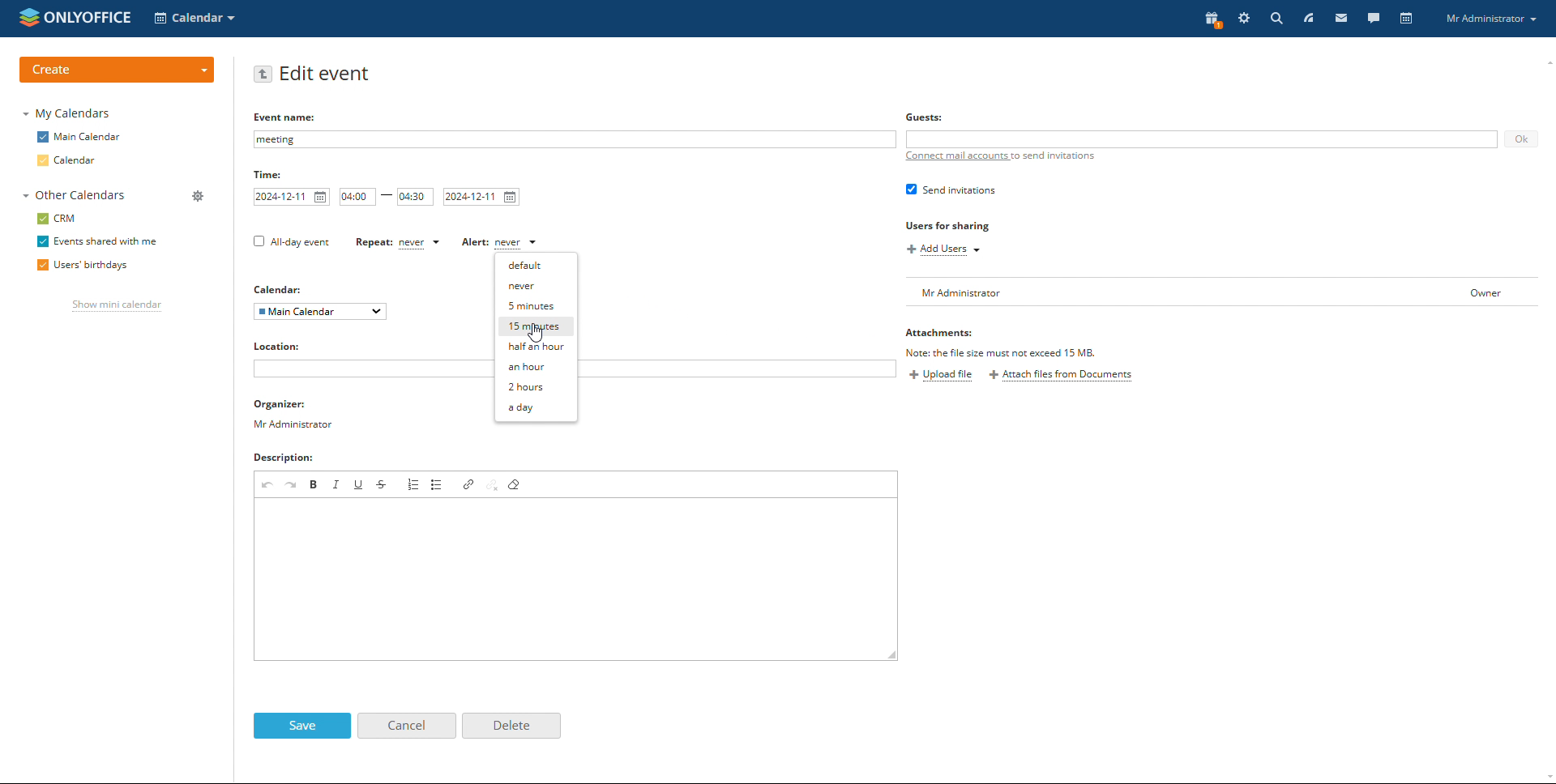  Describe the element at coordinates (1006, 352) in the screenshot. I see `note: the file must not exceed 15 mB` at that location.